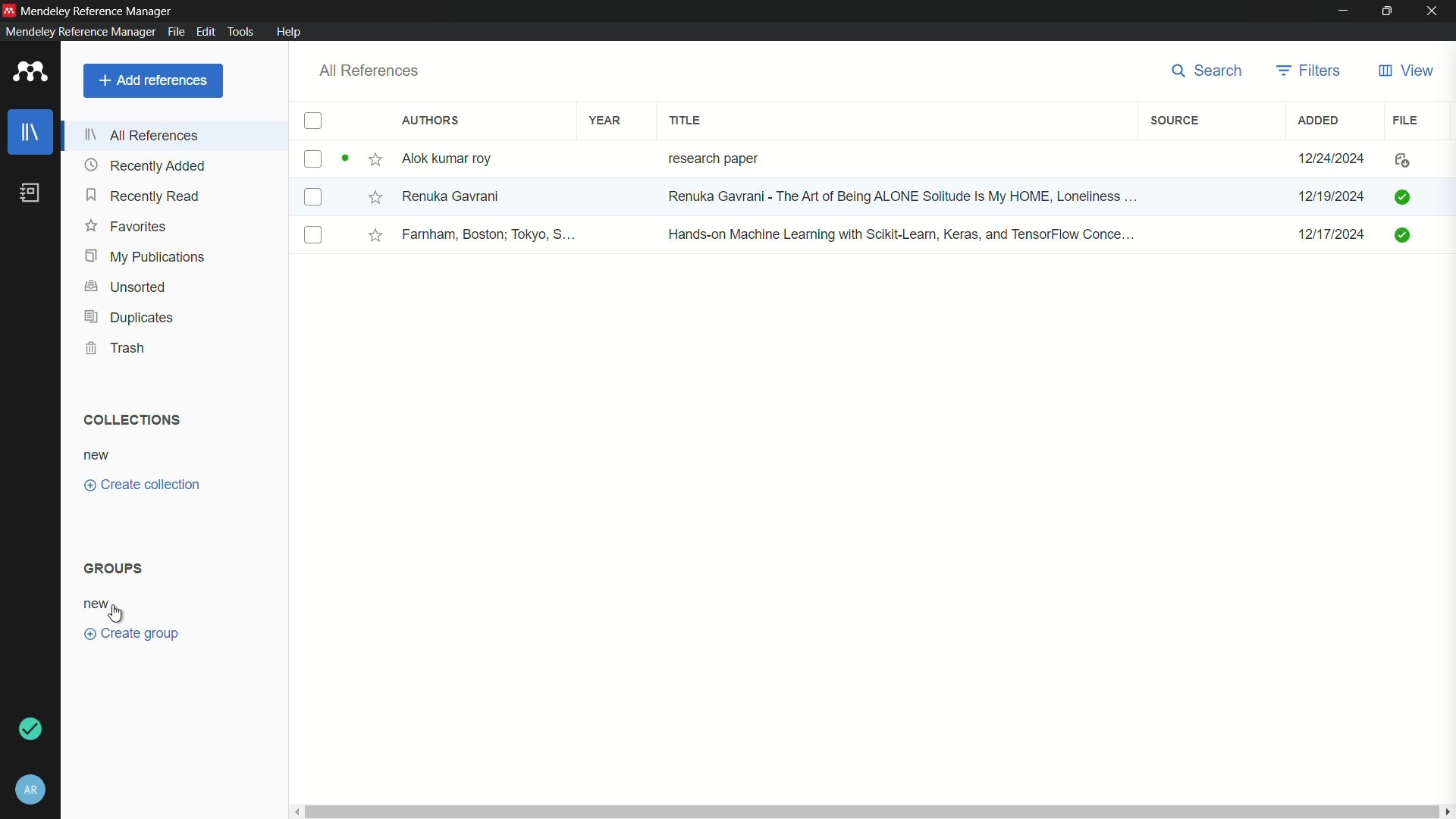 The width and height of the screenshot is (1456, 819). I want to click on close app, so click(1434, 11).